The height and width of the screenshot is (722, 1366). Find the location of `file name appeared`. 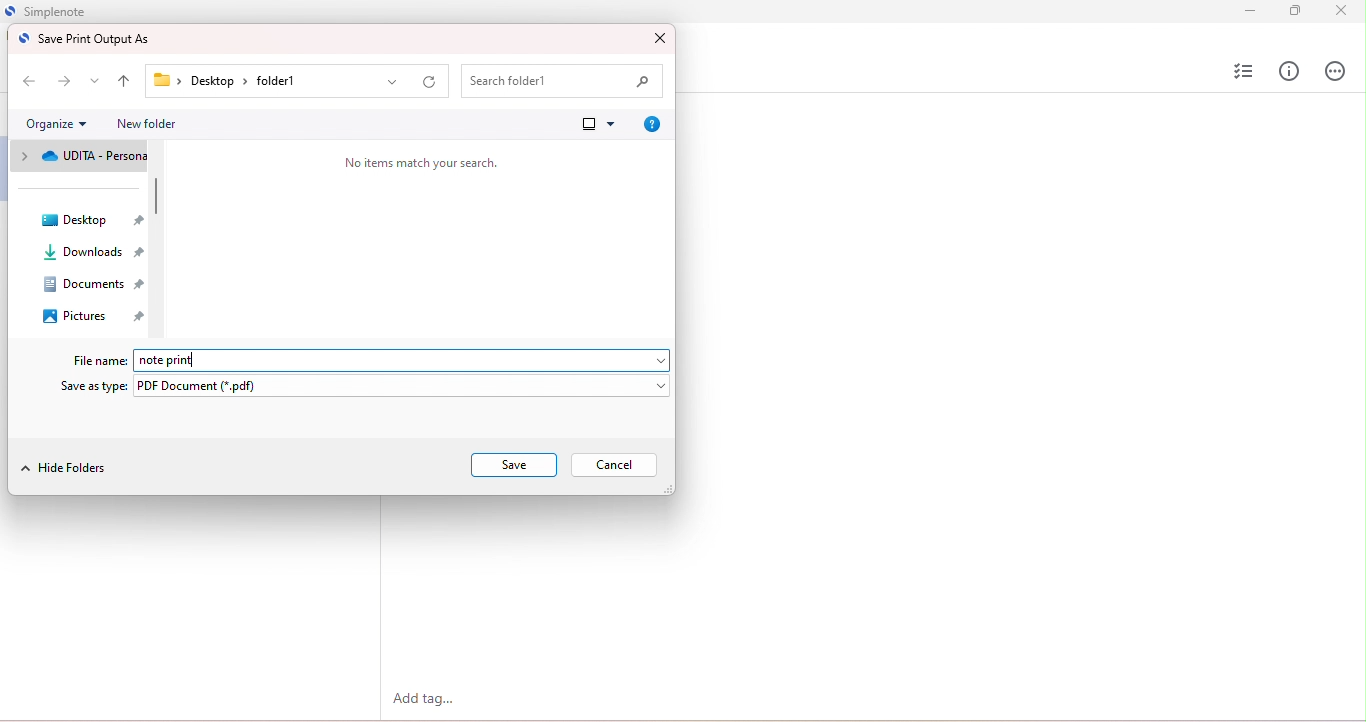

file name appeared is located at coordinates (179, 360).